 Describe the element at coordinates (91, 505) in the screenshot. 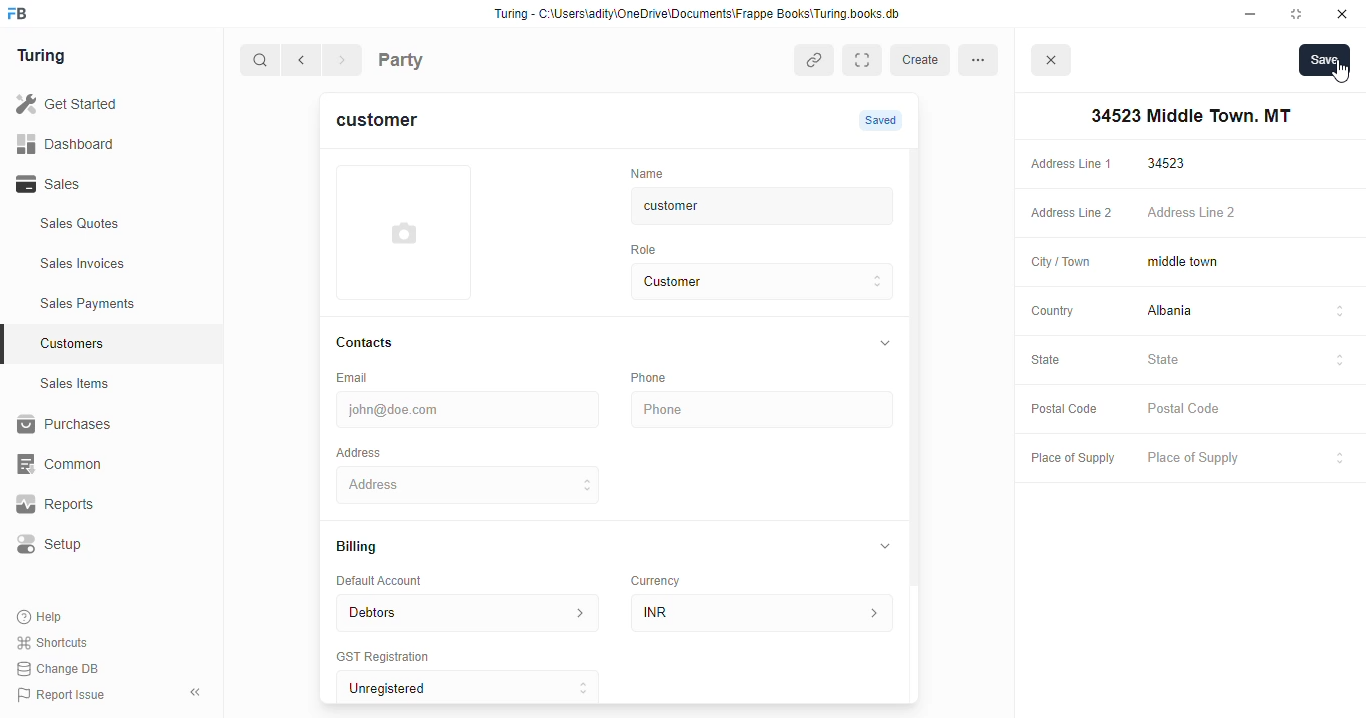

I see `Reports` at that location.